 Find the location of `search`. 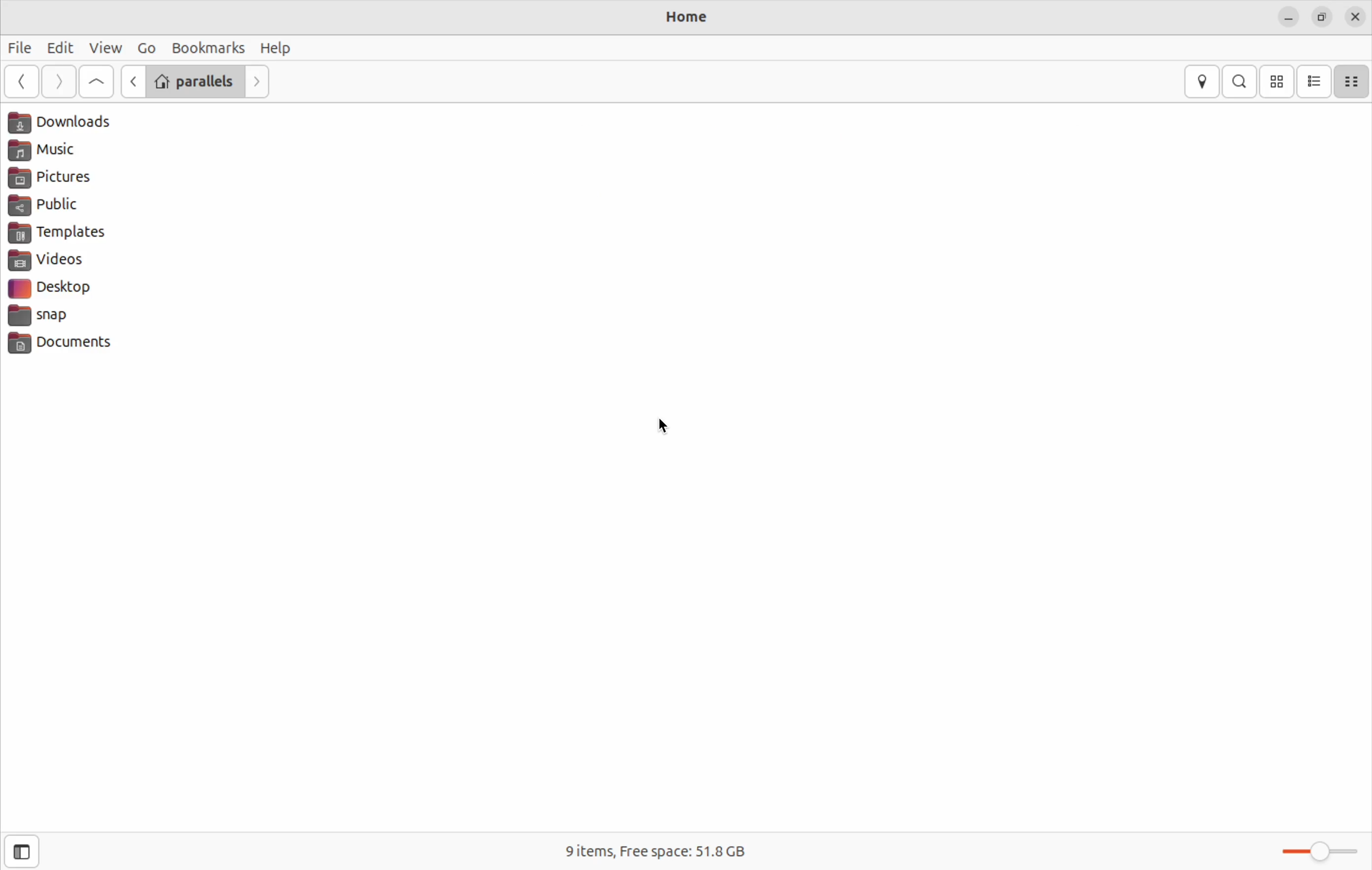

search is located at coordinates (1239, 82).